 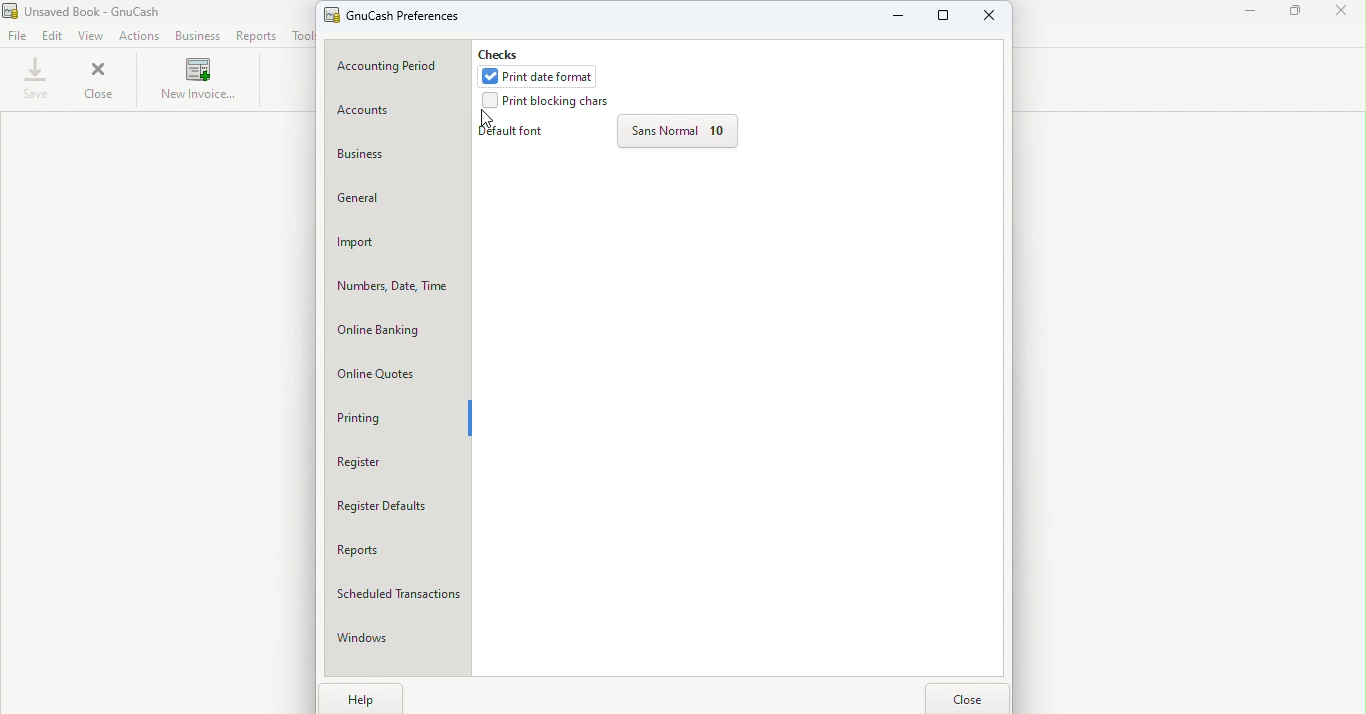 What do you see at coordinates (1301, 15) in the screenshot?
I see `Maximize` at bounding box center [1301, 15].